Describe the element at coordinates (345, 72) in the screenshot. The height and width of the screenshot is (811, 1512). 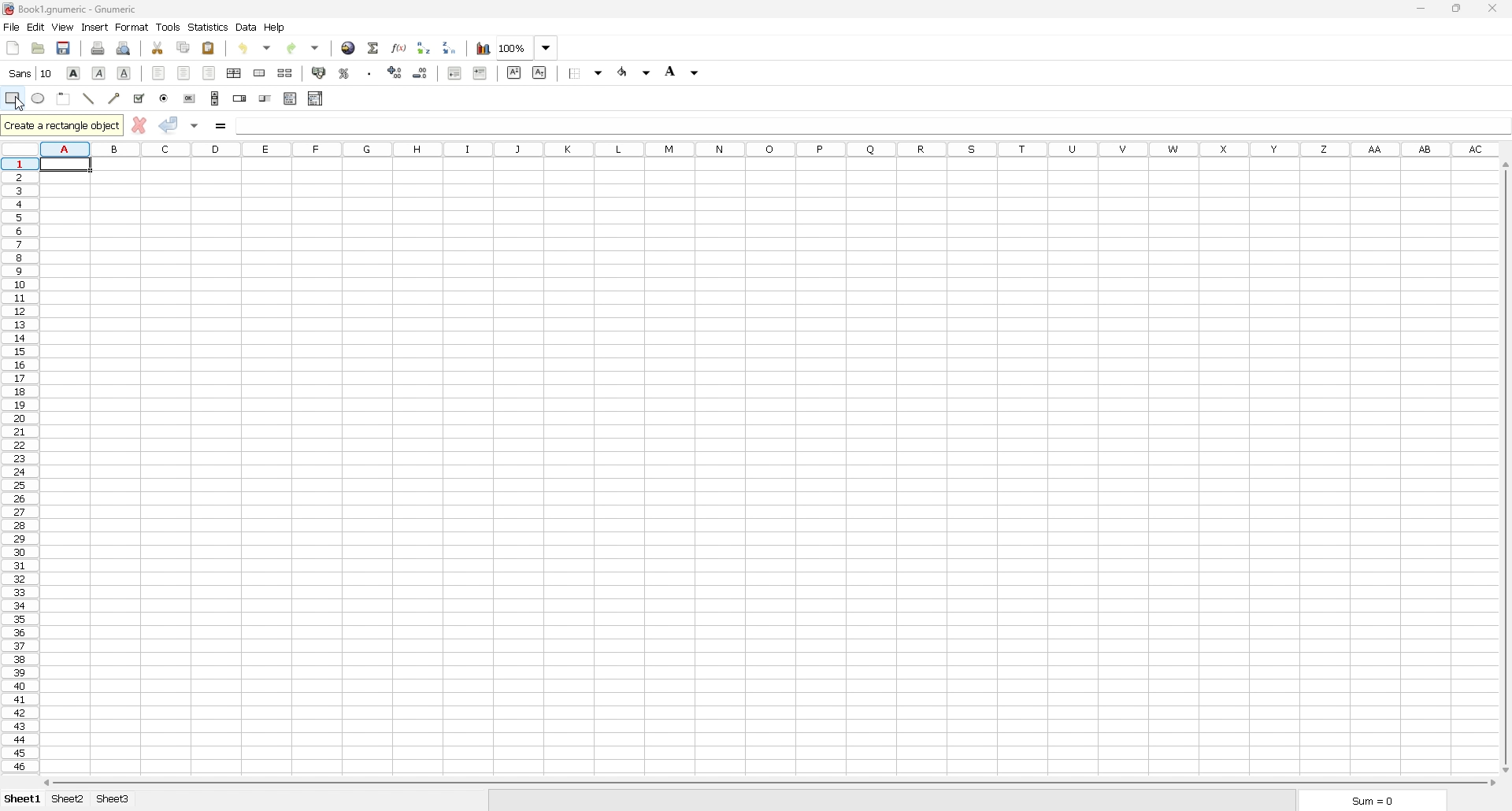
I see `percentage` at that location.